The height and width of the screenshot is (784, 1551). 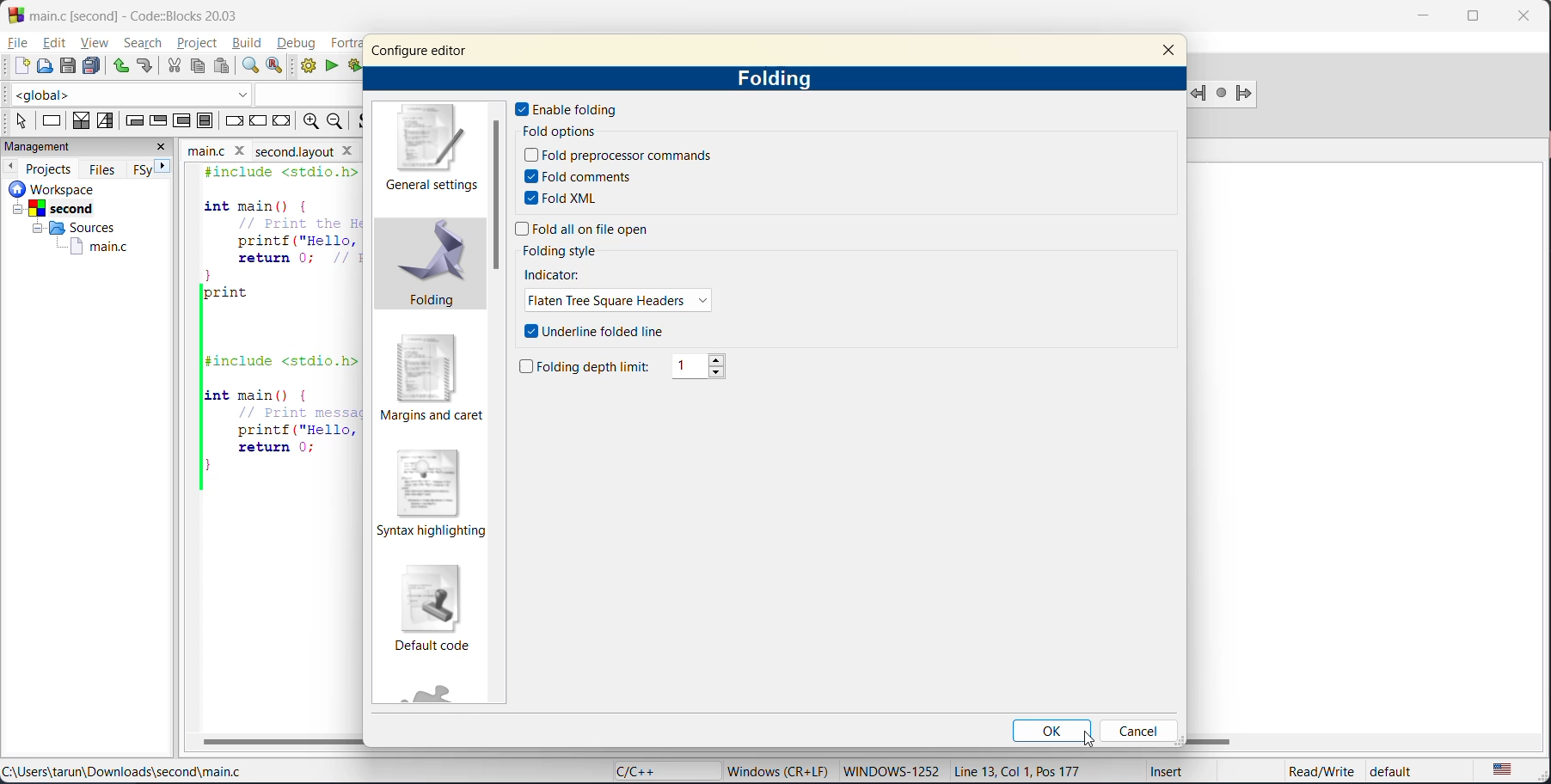 What do you see at coordinates (94, 65) in the screenshot?
I see `save everything` at bounding box center [94, 65].